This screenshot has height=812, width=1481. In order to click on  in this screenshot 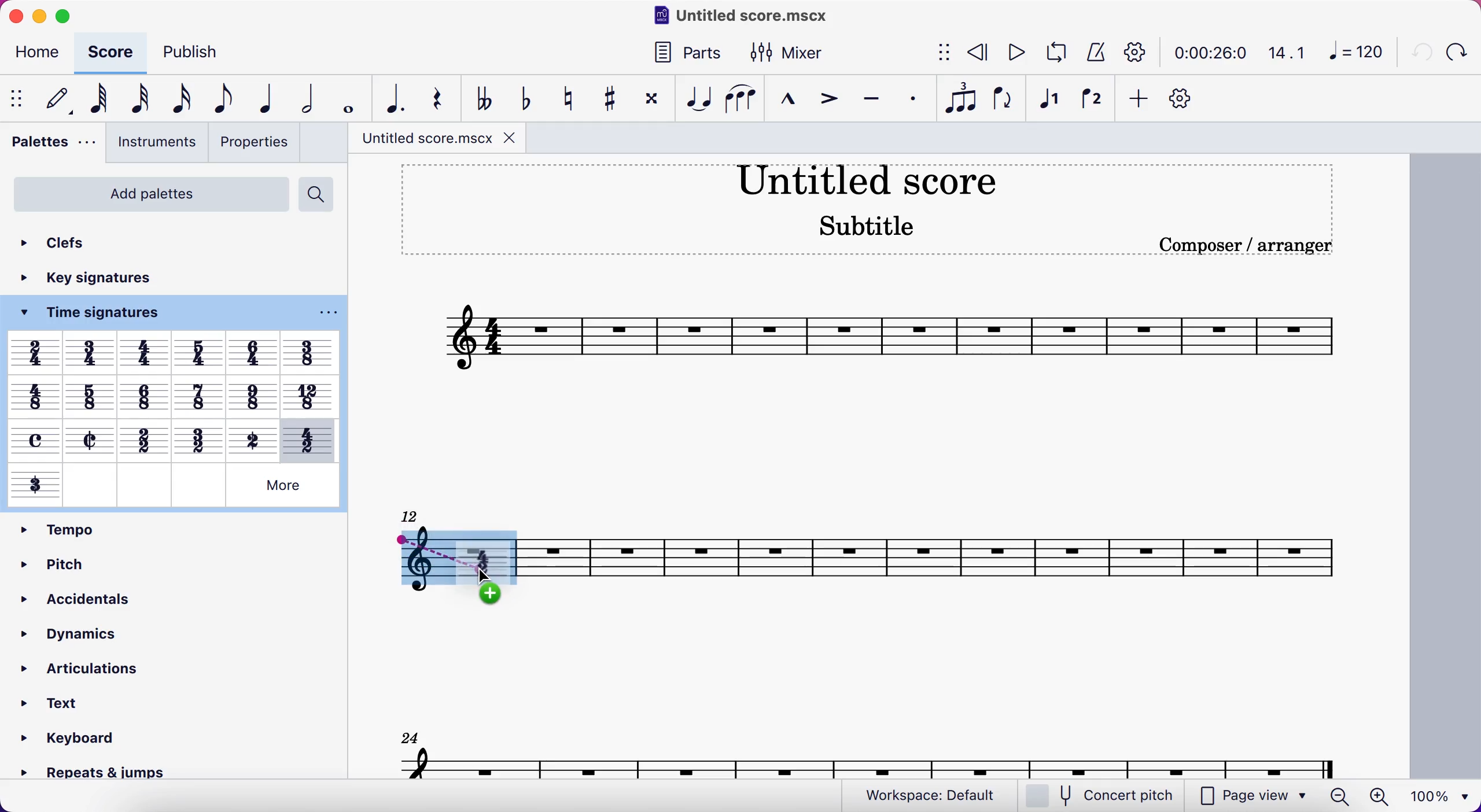, I will do `click(253, 438)`.